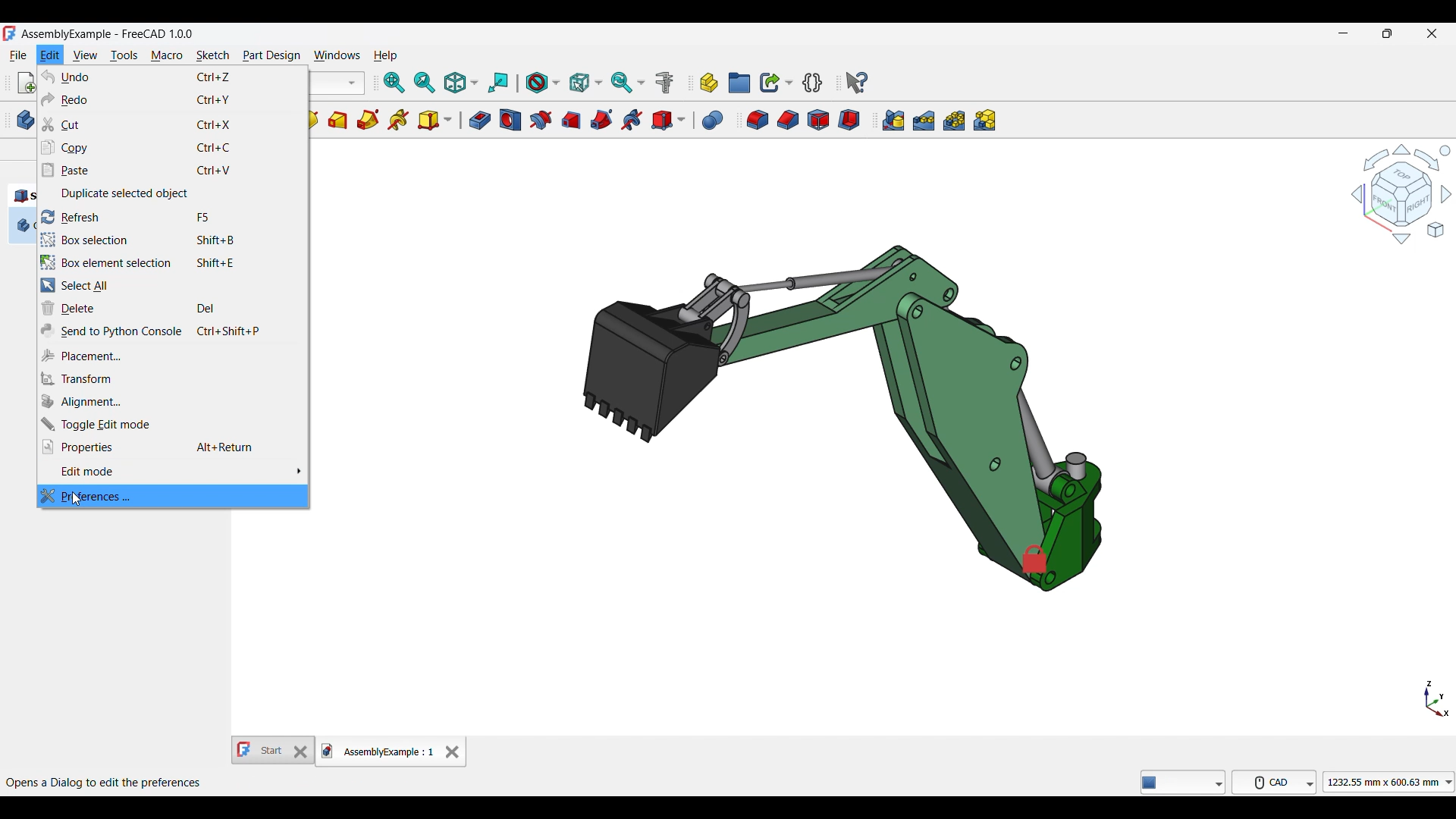 Image resolution: width=1456 pixels, height=819 pixels. What do you see at coordinates (108, 34) in the screenshot?
I see `Project name, software name and version` at bounding box center [108, 34].